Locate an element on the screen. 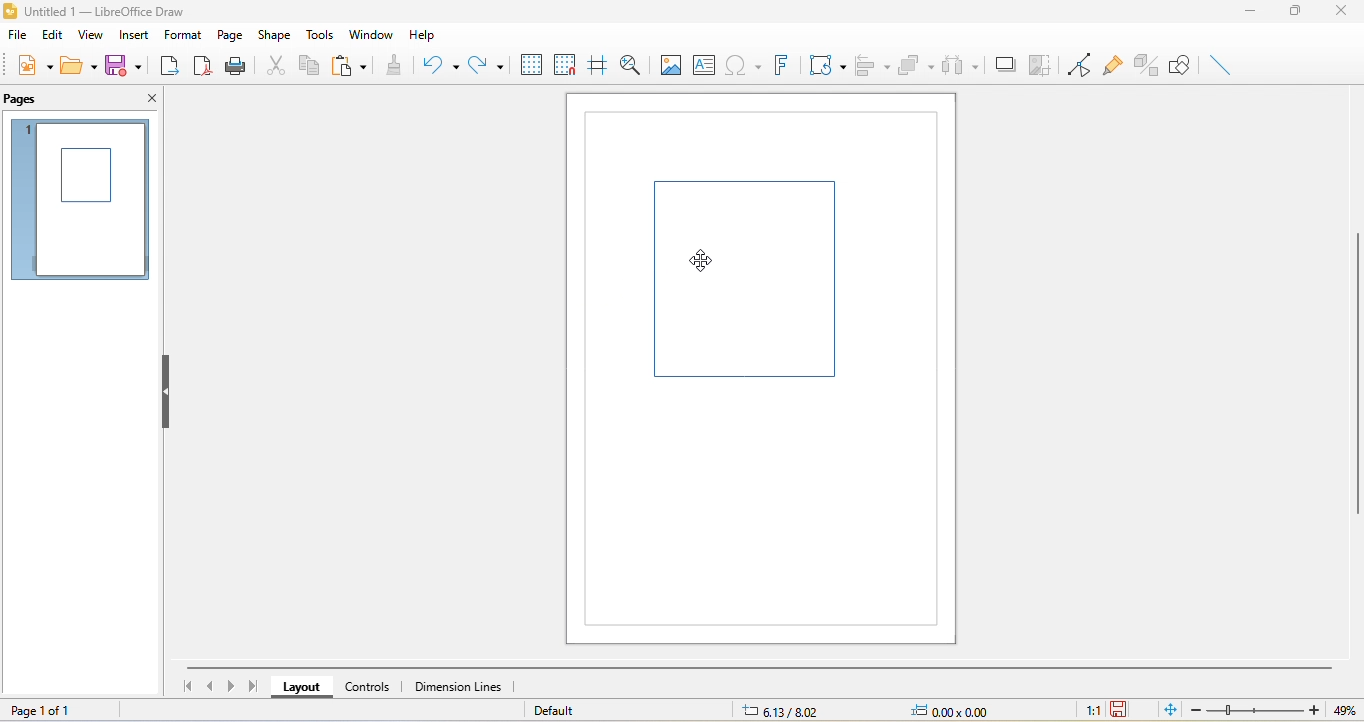  print is located at coordinates (236, 68).